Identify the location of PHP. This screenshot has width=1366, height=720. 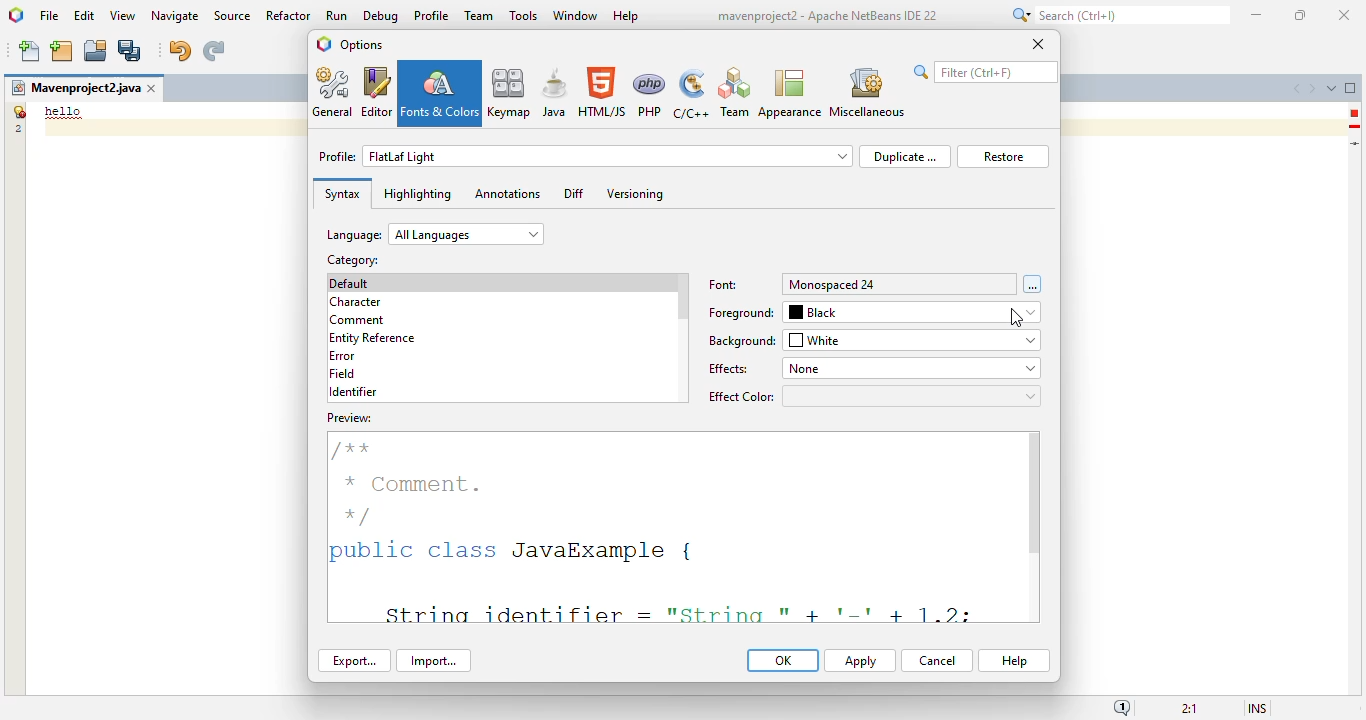
(650, 94).